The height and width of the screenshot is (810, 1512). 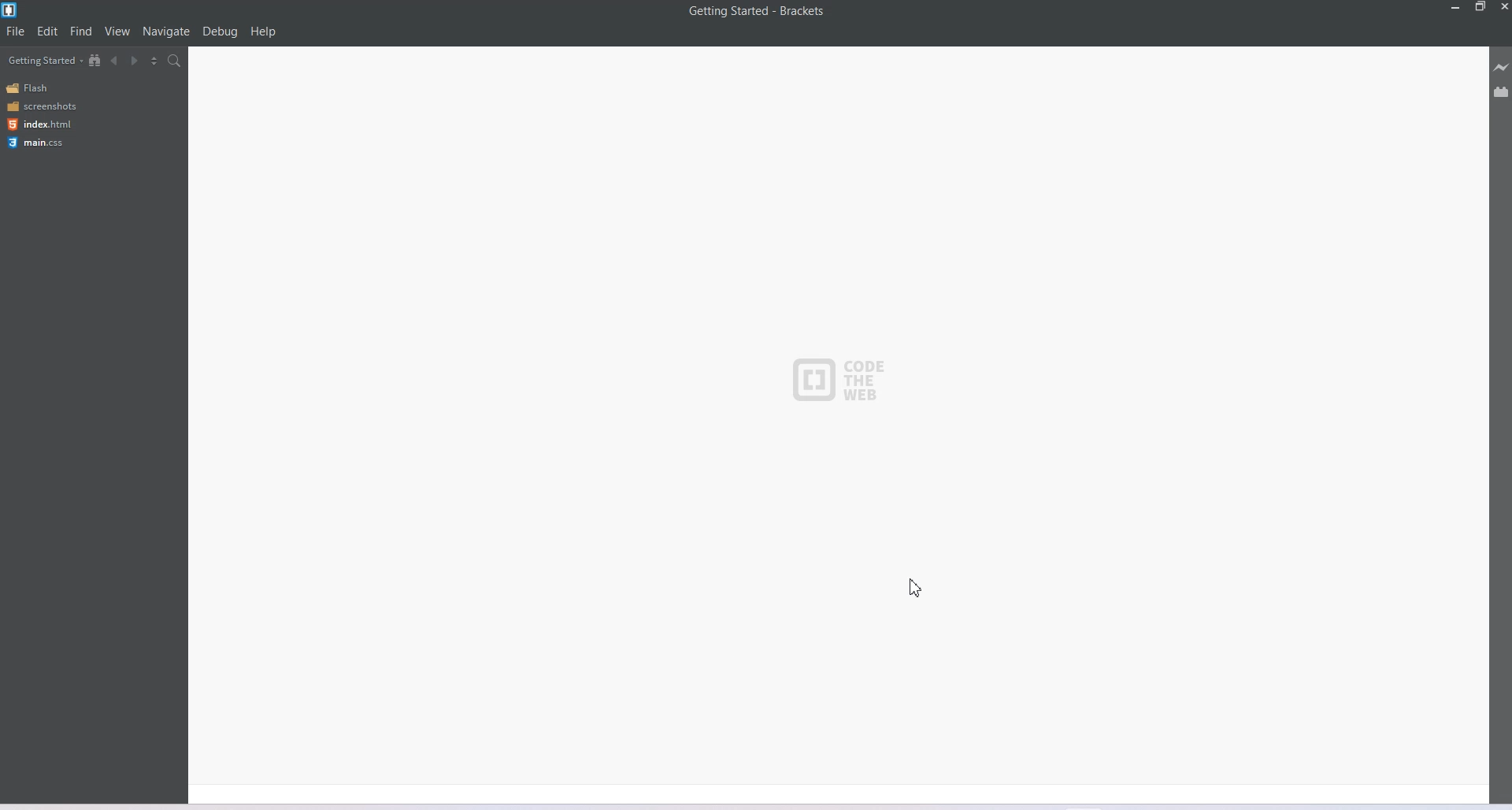 What do you see at coordinates (1501, 67) in the screenshot?
I see `Live Preview` at bounding box center [1501, 67].